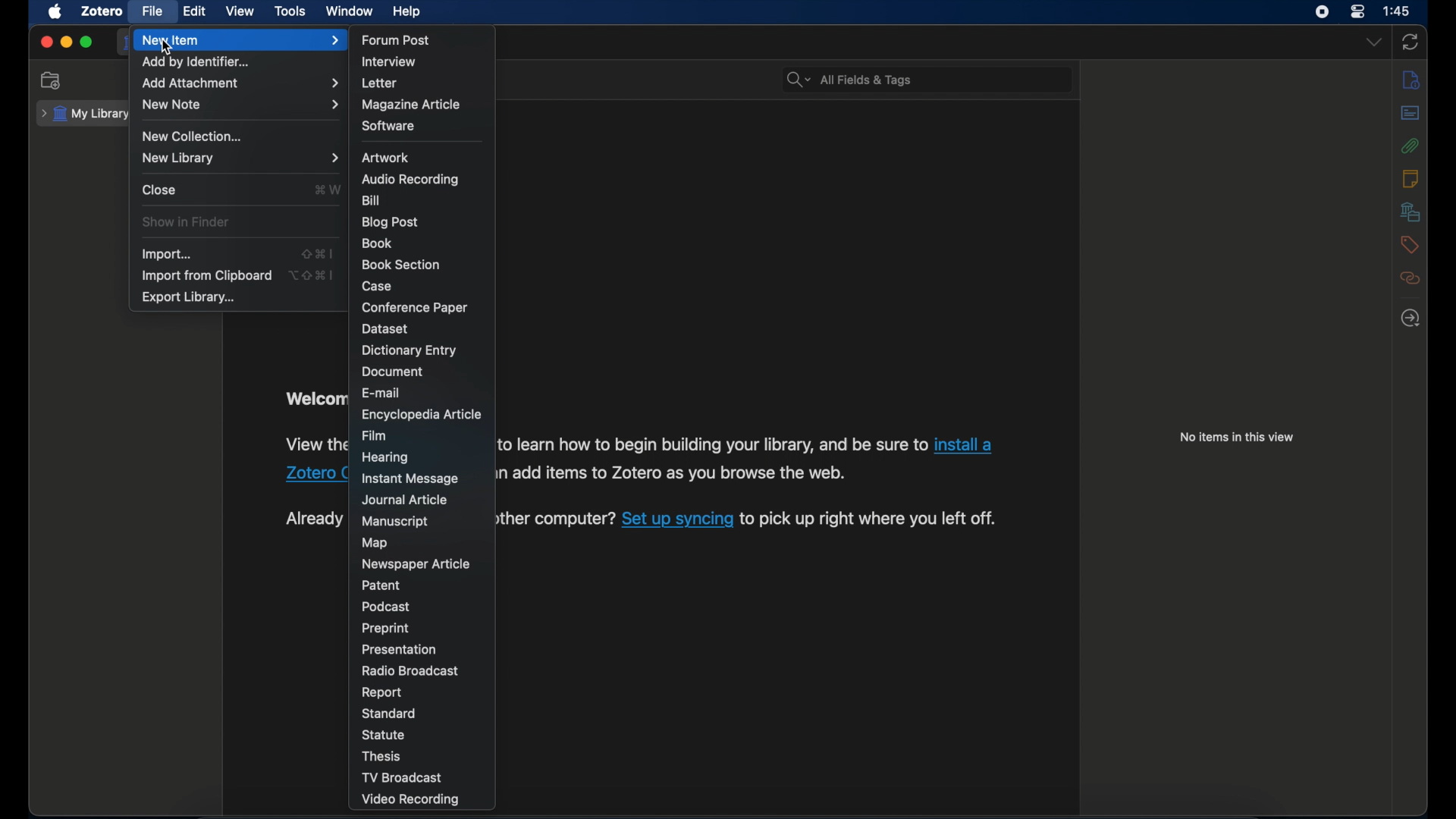 Image resolution: width=1456 pixels, height=819 pixels. I want to click on podcast, so click(385, 607).